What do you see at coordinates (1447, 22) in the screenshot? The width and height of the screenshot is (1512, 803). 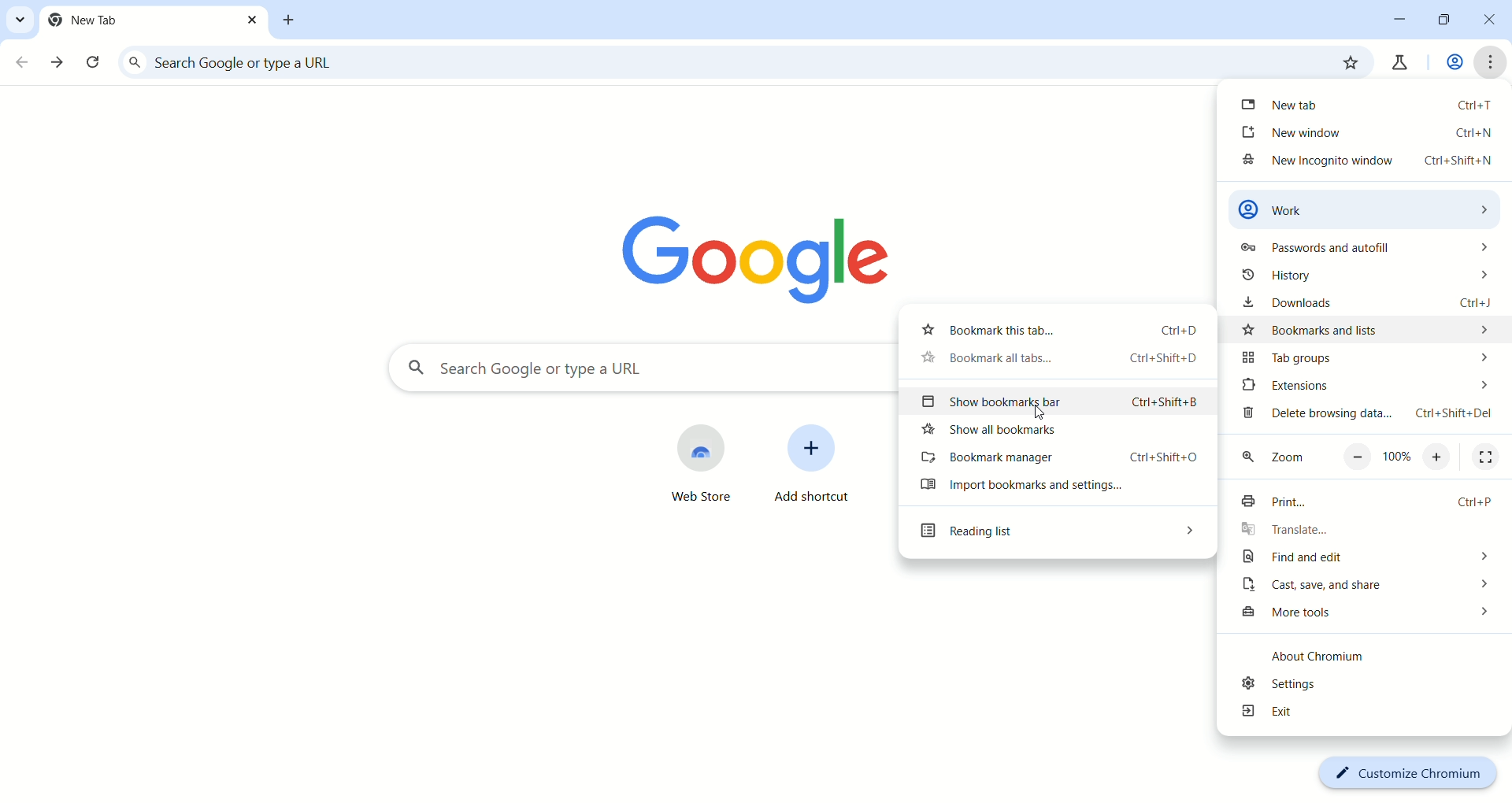 I see `maximize` at bounding box center [1447, 22].